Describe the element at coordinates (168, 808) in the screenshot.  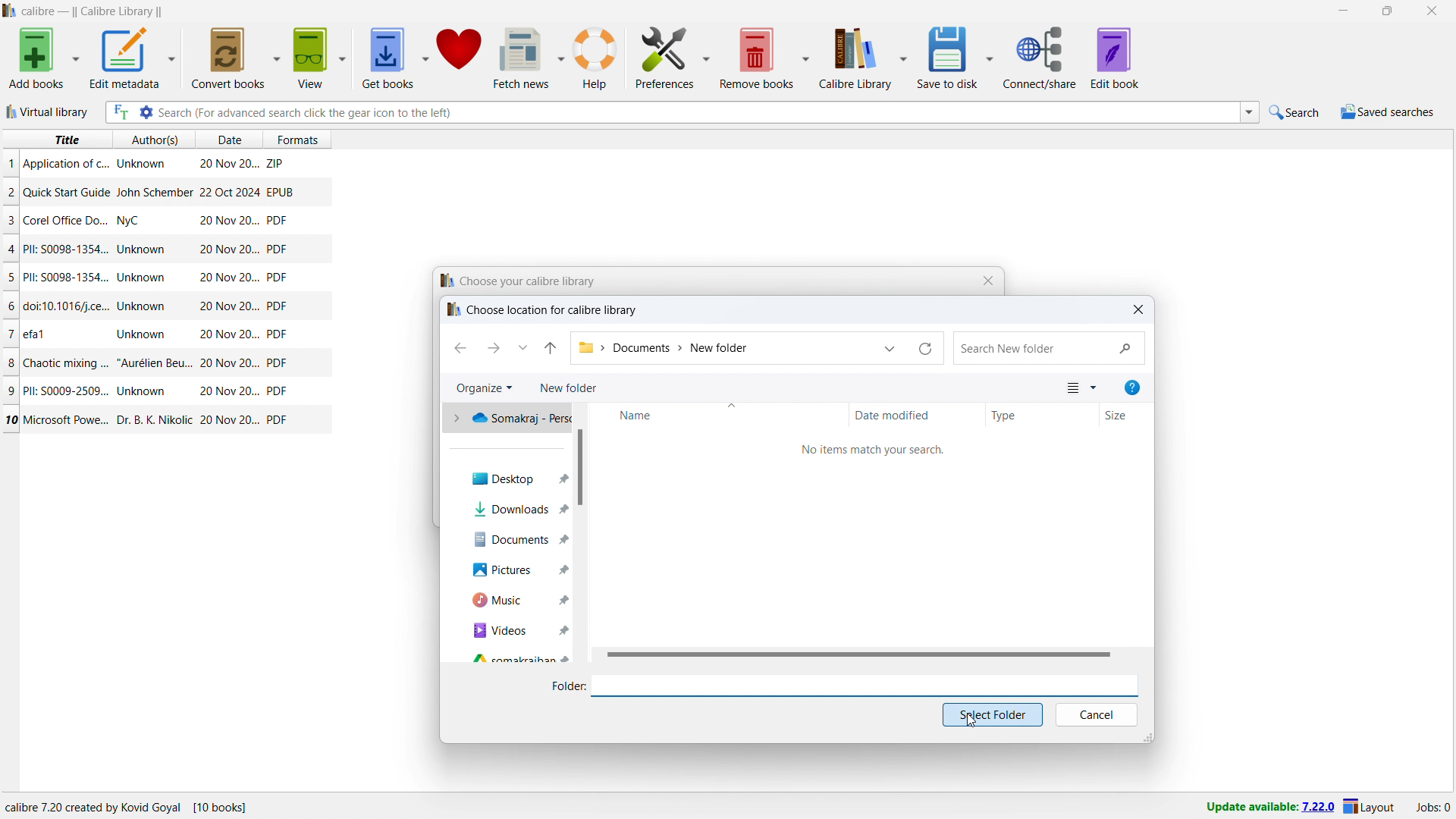
I see `Location` at that location.